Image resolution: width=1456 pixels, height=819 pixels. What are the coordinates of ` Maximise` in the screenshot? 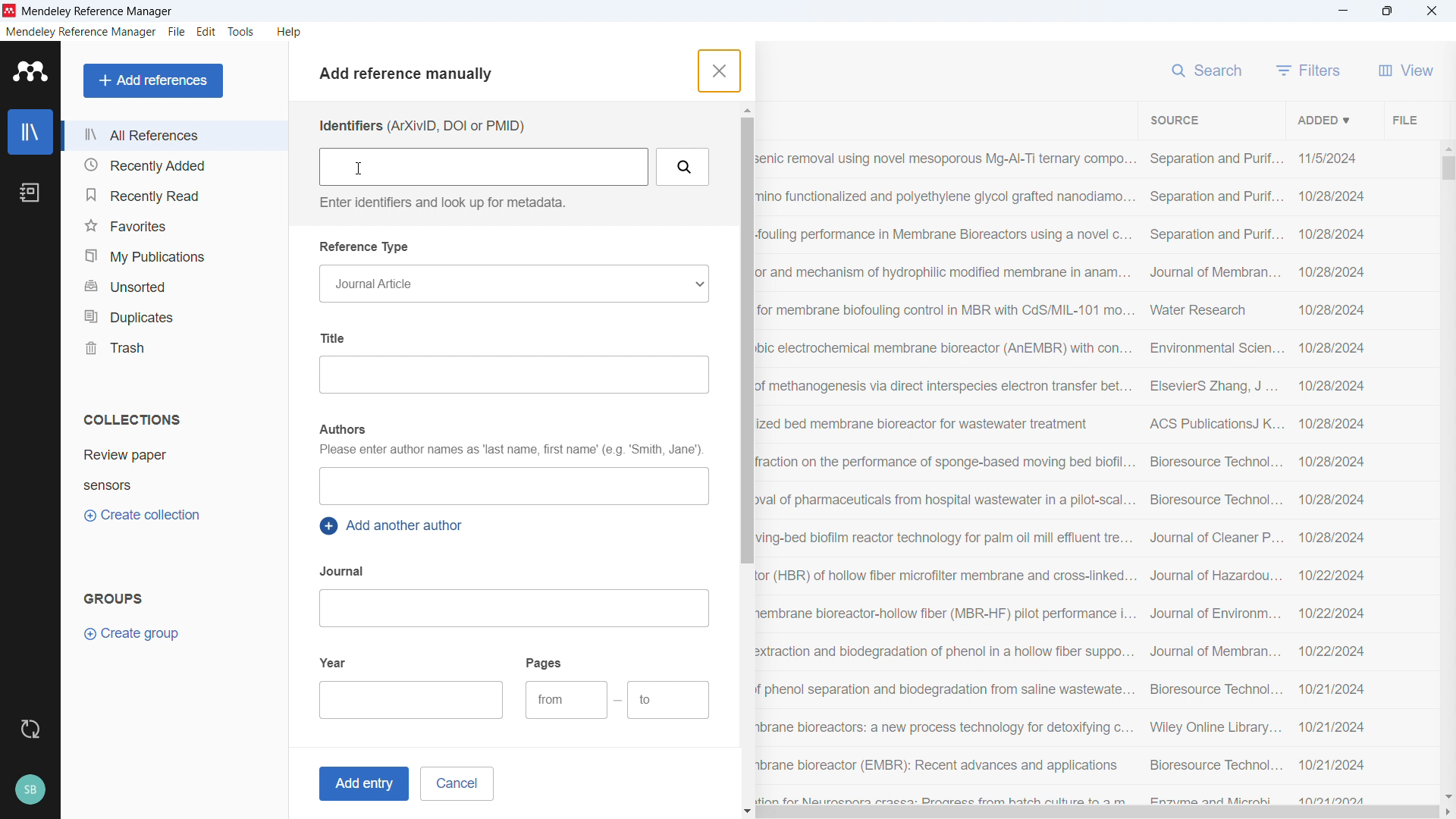 It's located at (1388, 11).